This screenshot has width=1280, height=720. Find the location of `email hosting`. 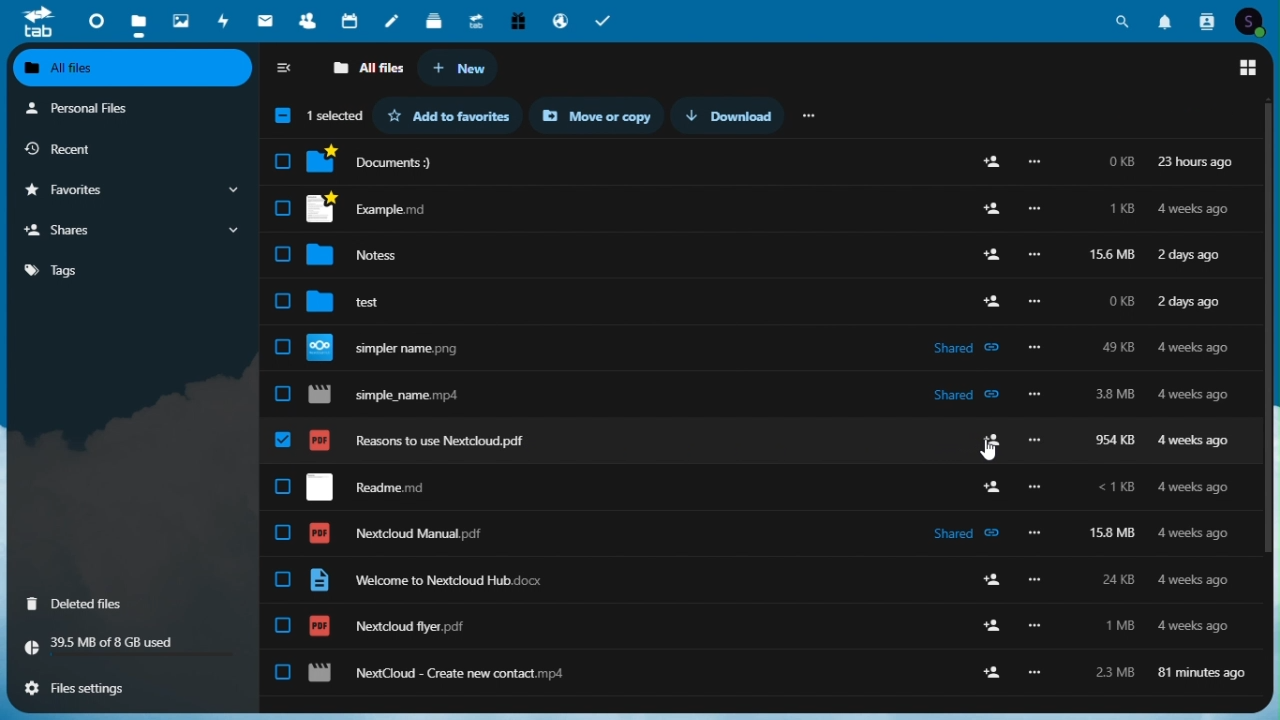

email hosting is located at coordinates (562, 21).